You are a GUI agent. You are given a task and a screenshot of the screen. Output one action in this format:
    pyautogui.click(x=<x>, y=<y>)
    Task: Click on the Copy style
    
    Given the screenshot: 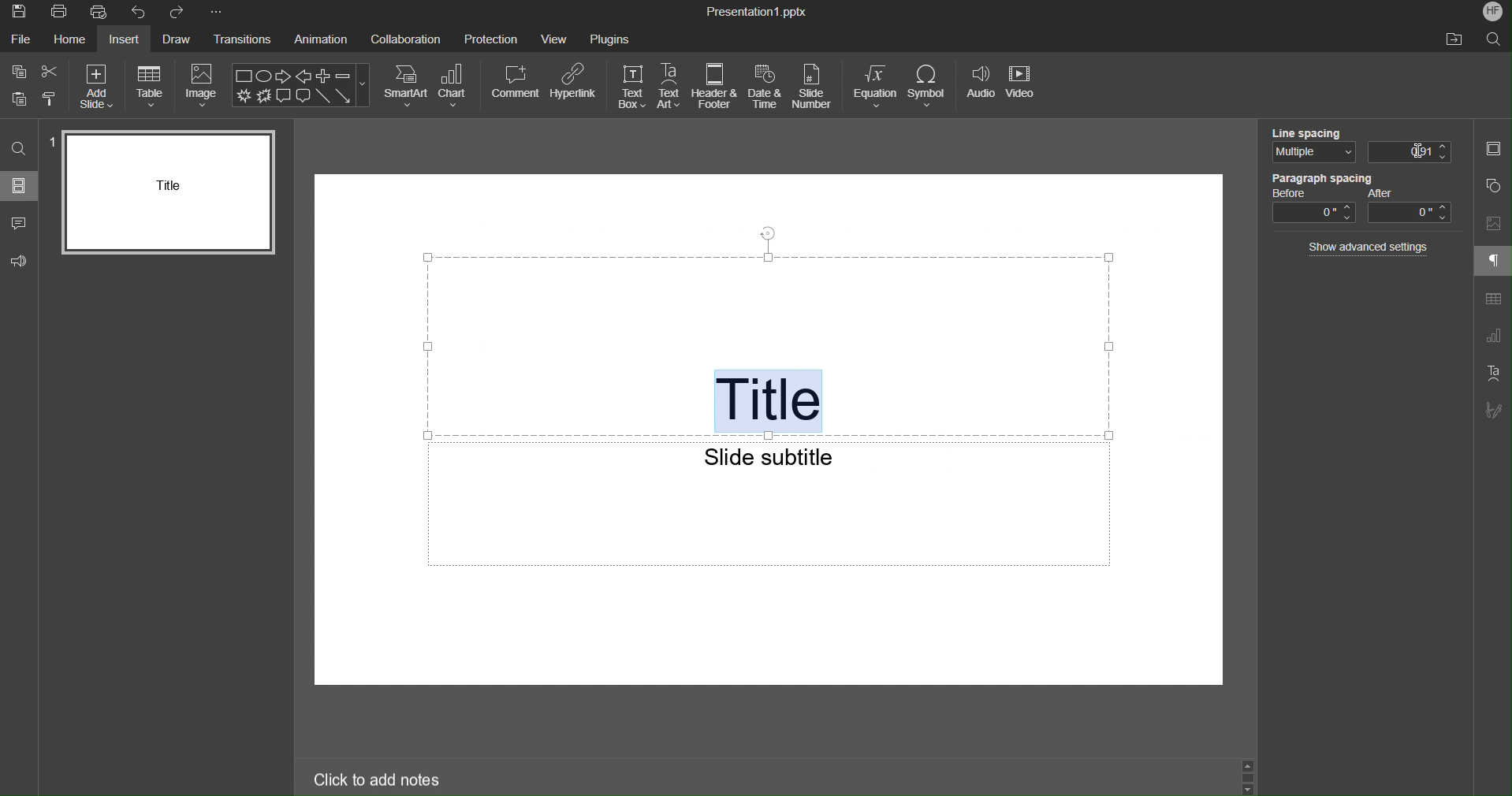 What is the action you would take?
    pyautogui.click(x=53, y=100)
    